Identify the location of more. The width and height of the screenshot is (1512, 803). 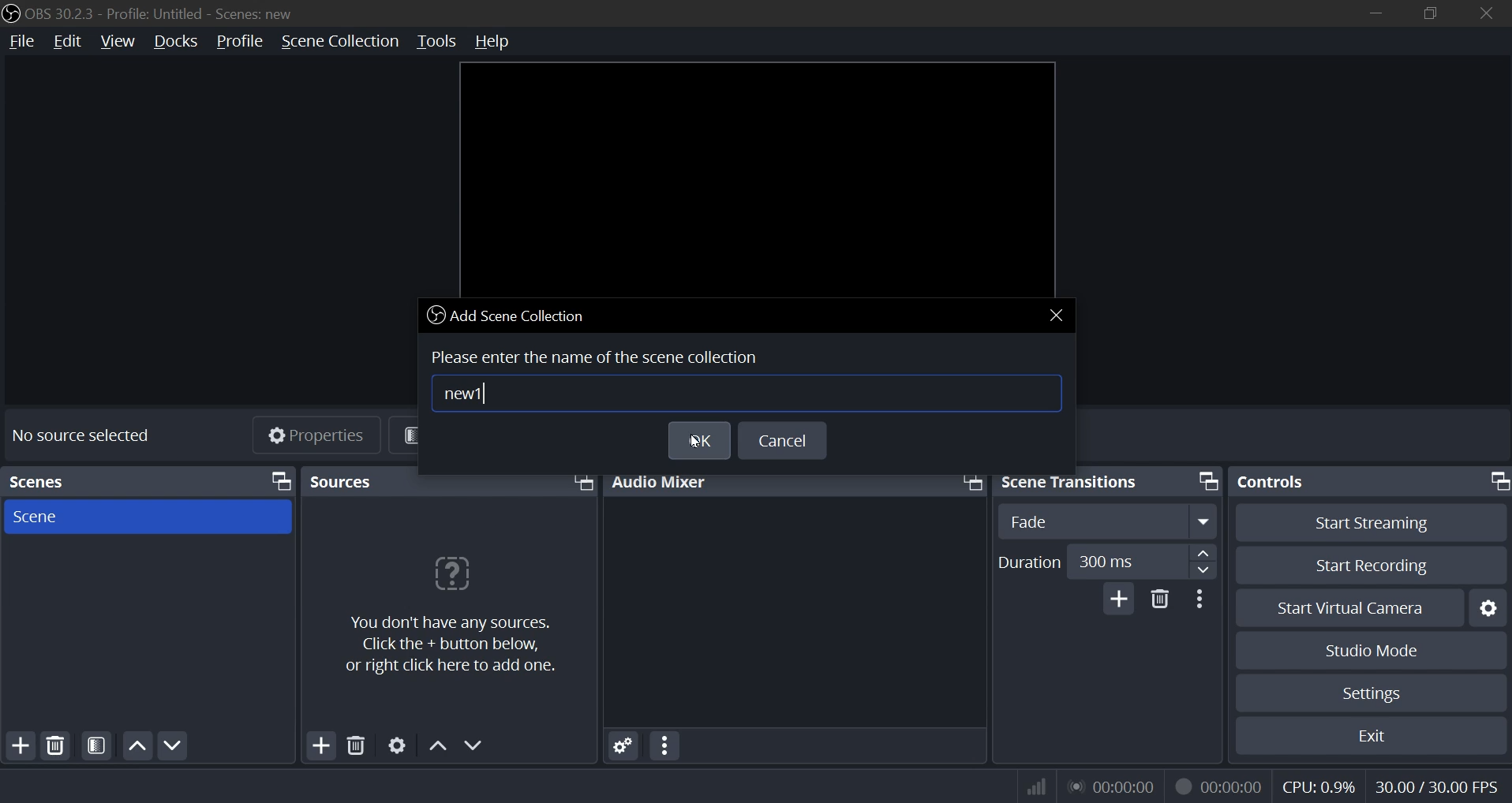
(666, 745).